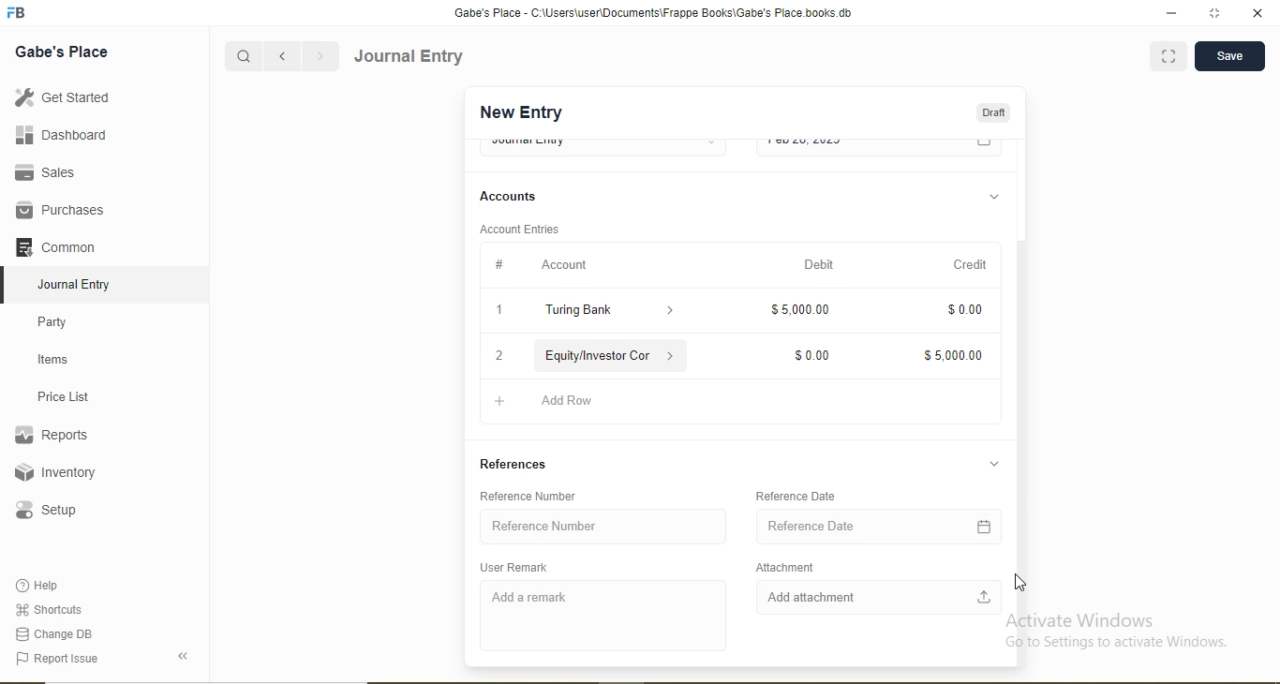  Describe the element at coordinates (17, 13) in the screenshot. I see `Logo` at that location.